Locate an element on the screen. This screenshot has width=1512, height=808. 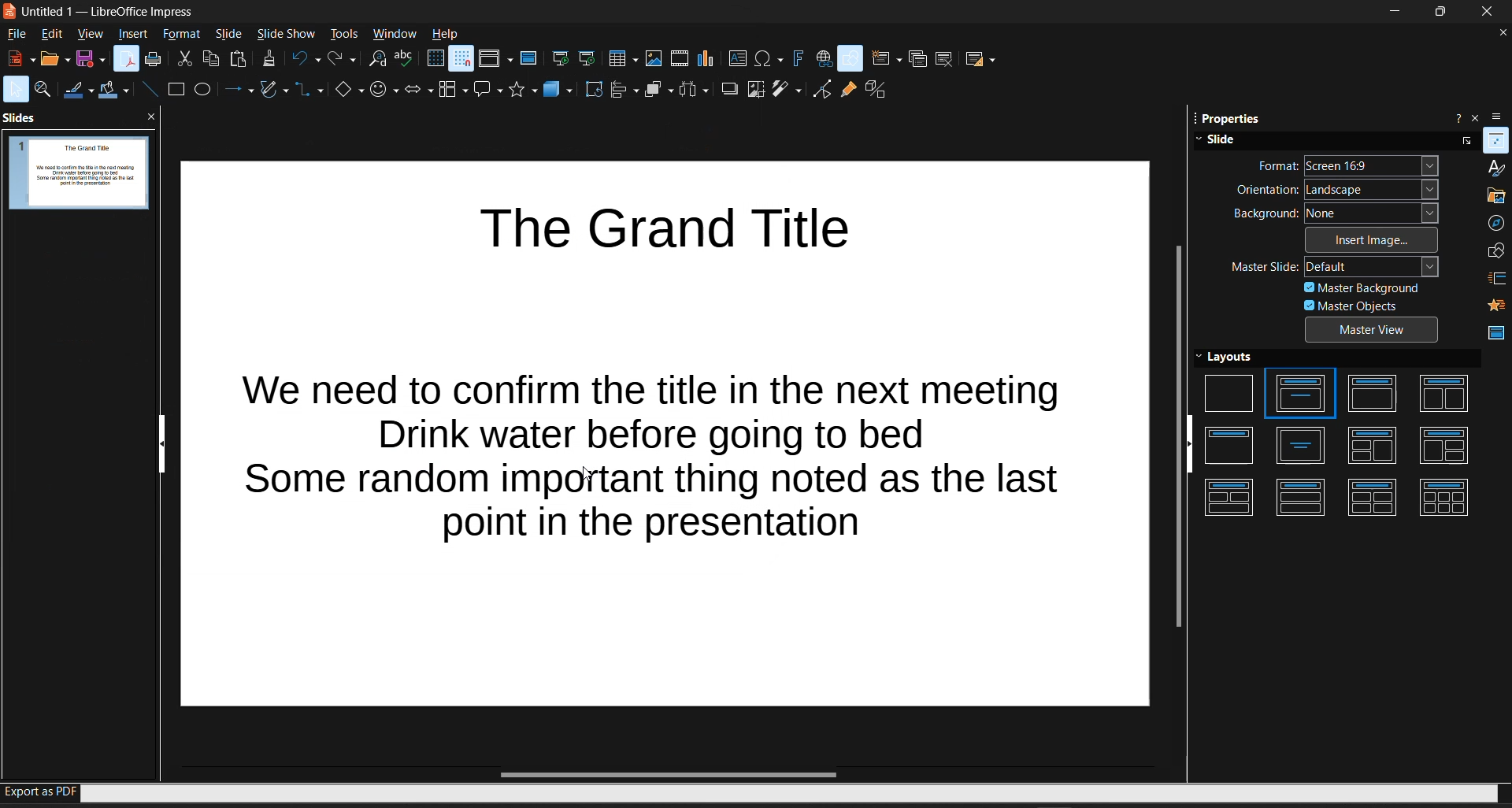
3d objects is located at coordinates (559, 91).